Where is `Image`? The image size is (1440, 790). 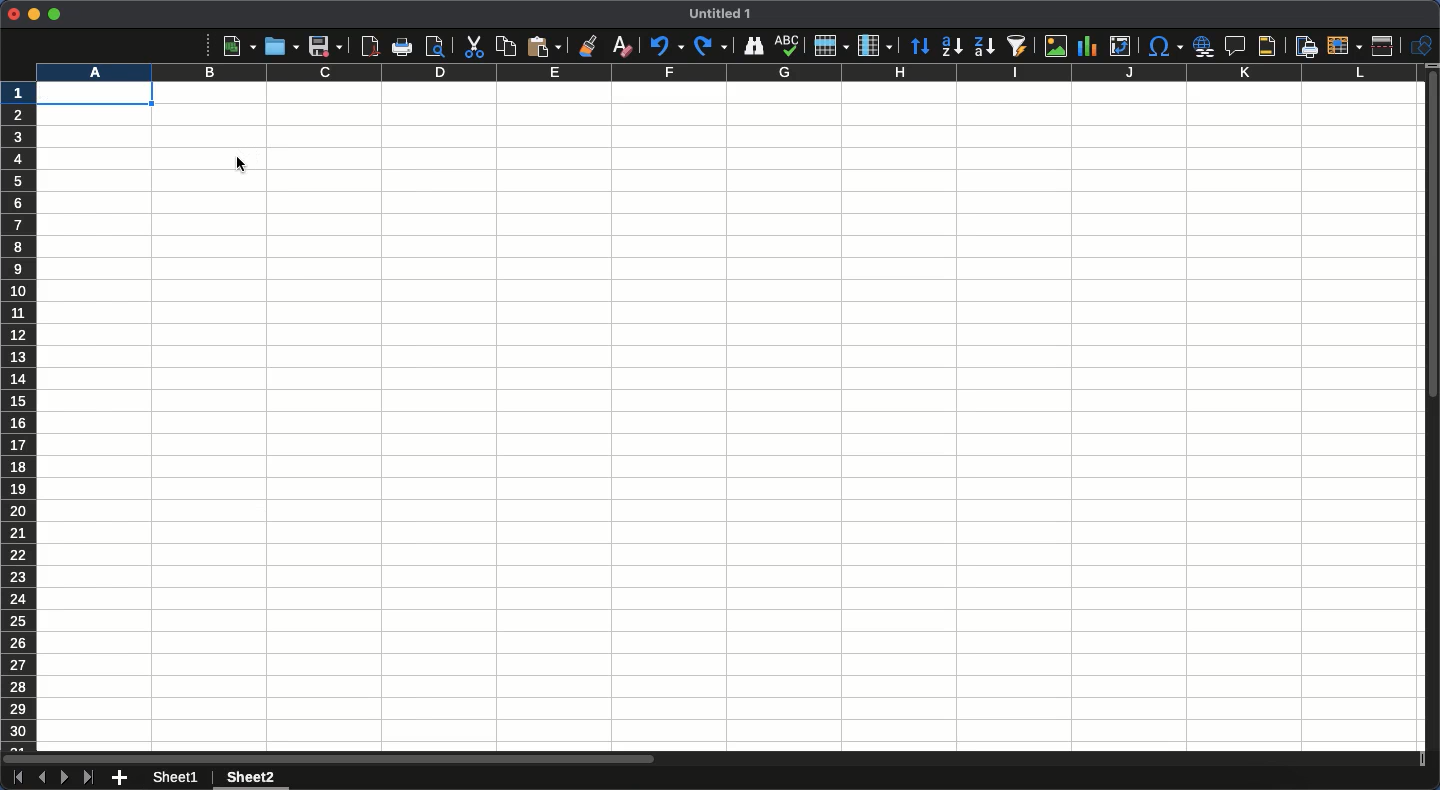
Image is located at coordinates (1051, 46).